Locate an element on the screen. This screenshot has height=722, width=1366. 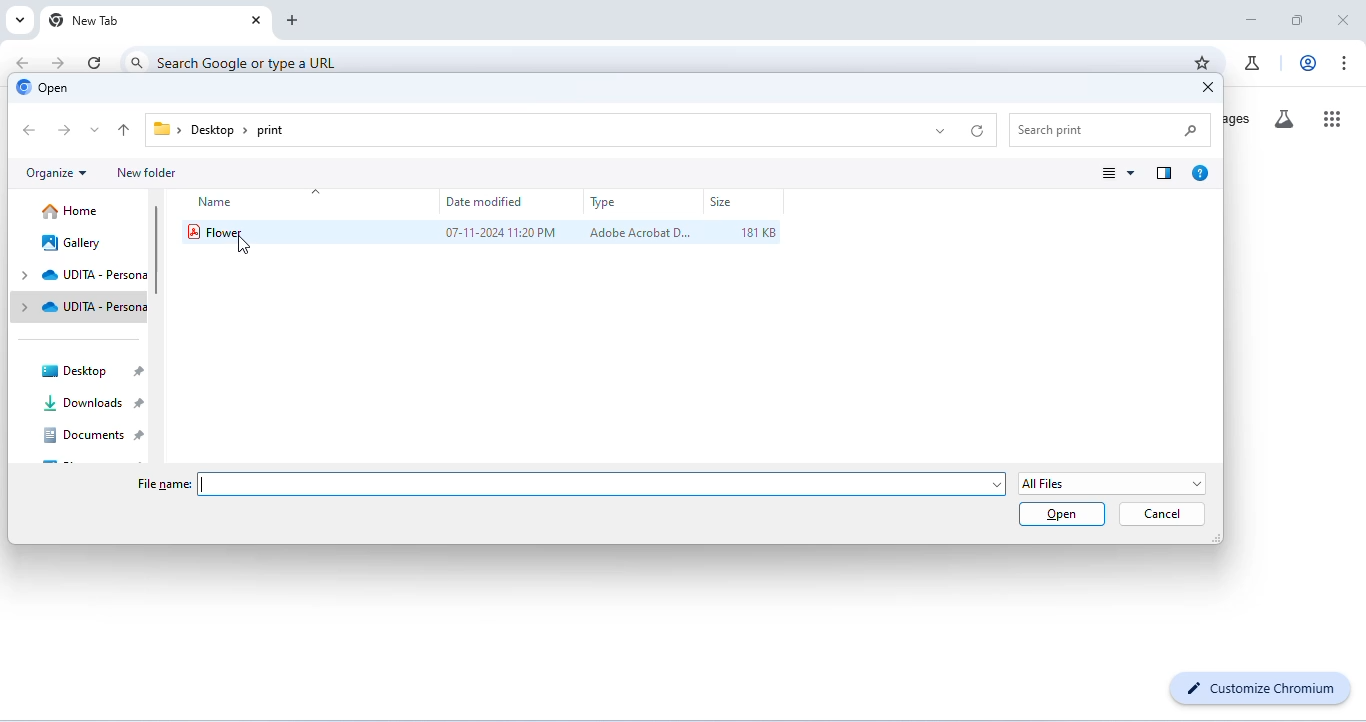
get help is located at coordinates (1201, 173).